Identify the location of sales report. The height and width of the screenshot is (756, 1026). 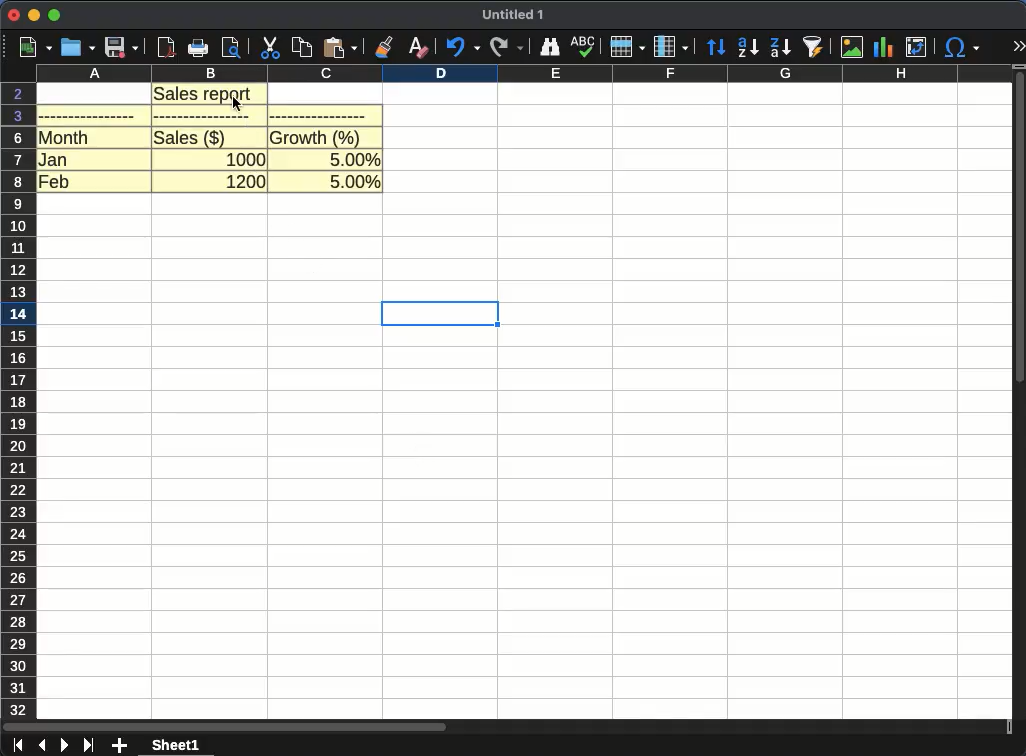
(211, 94).